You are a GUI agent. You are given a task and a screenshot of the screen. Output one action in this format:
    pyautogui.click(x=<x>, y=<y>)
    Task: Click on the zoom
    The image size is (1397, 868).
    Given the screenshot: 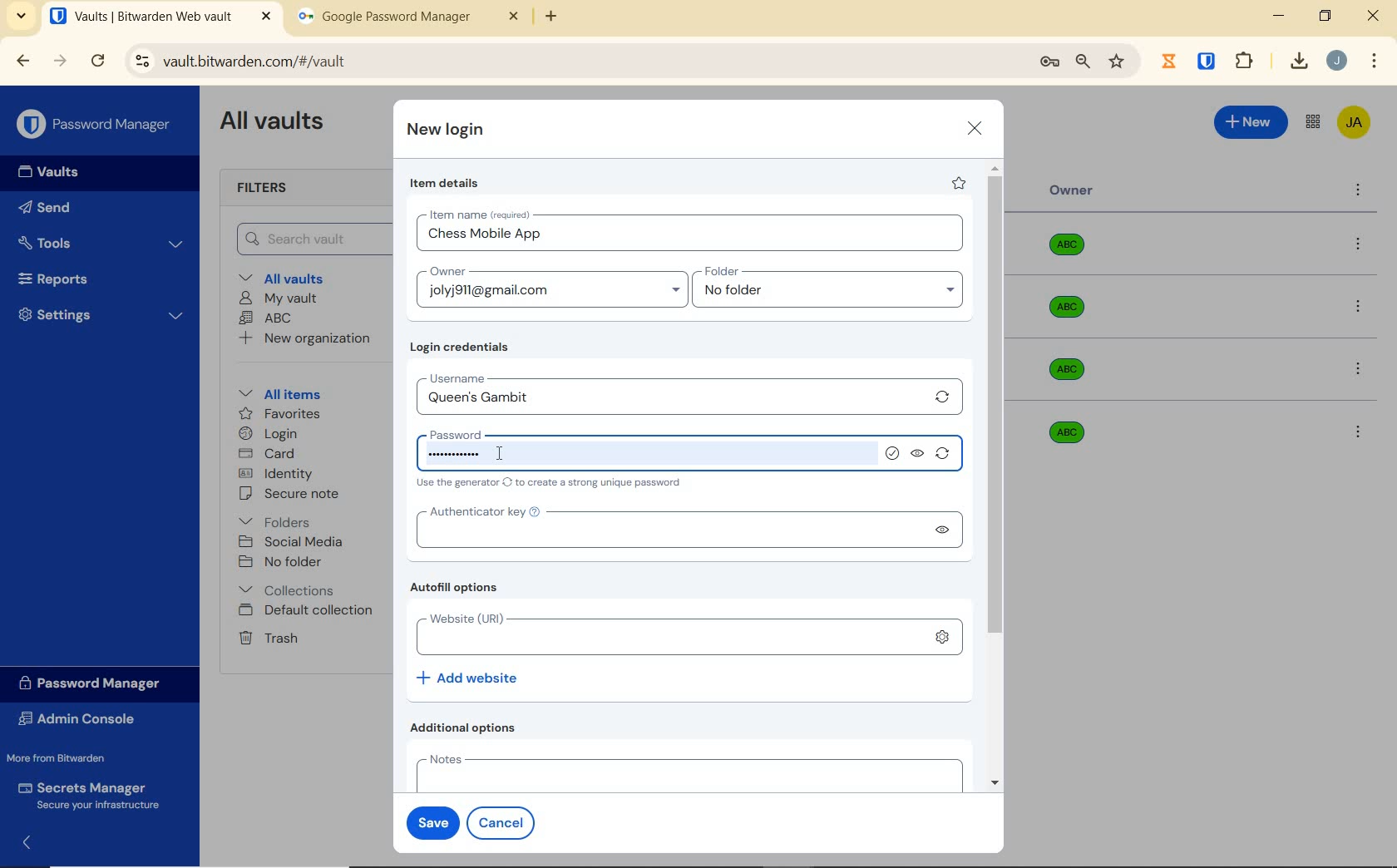 What is the action you would take?
    pyautogui.click(x=1082, y=62)
    